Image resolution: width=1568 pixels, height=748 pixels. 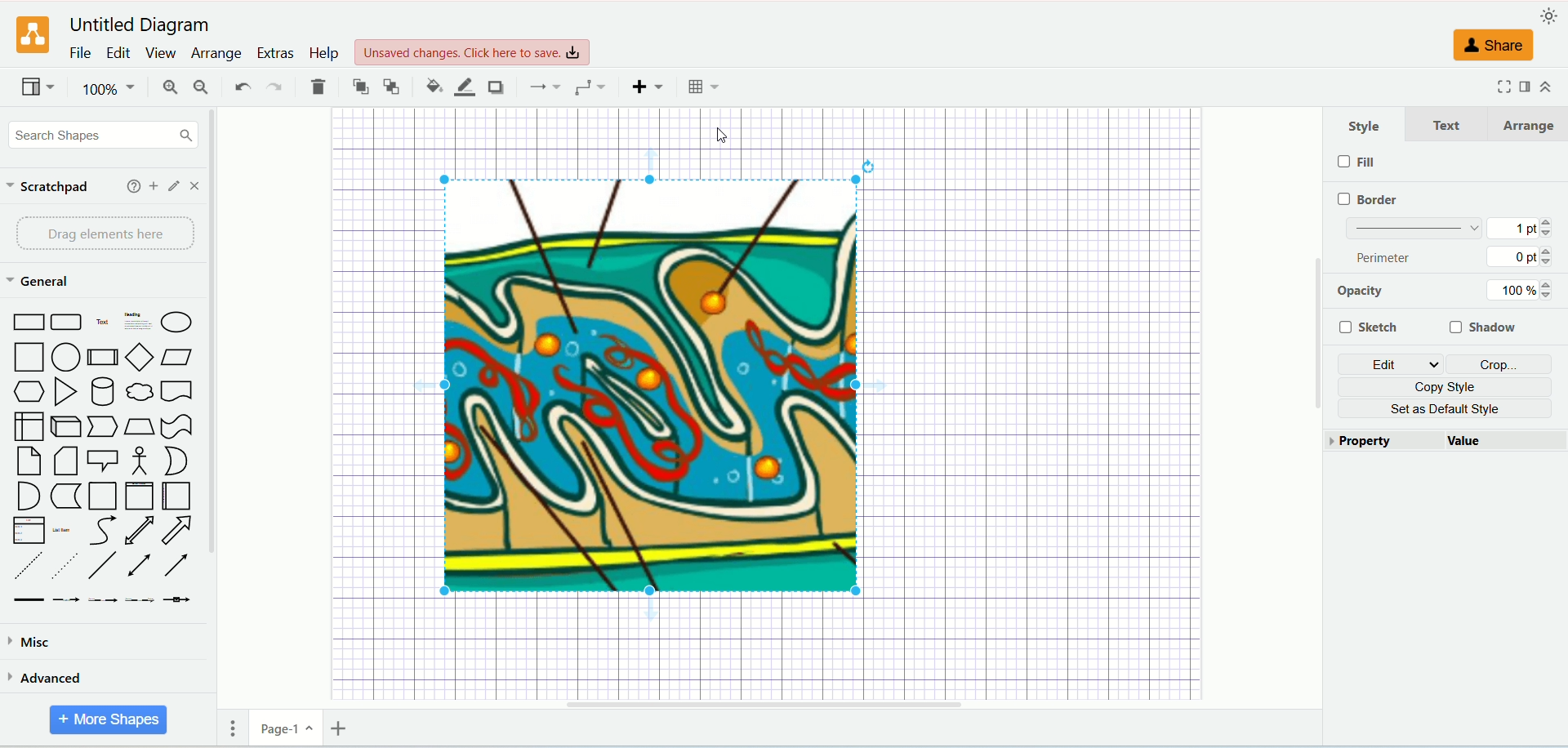 What do you see at coordinates (1503, 443) in the screenshot?
I see `value` at bounding box center [1503, 443].